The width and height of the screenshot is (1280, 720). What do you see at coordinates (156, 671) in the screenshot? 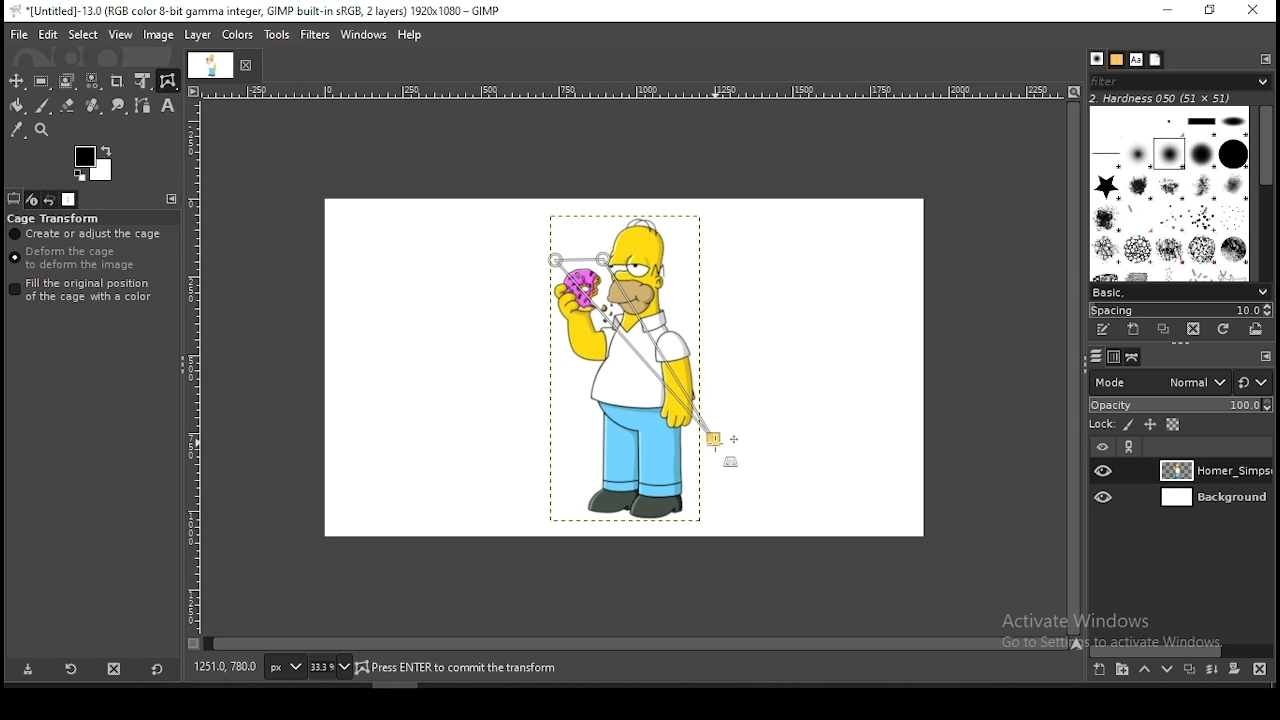
I see `reset` at bounding box center [156, 671].